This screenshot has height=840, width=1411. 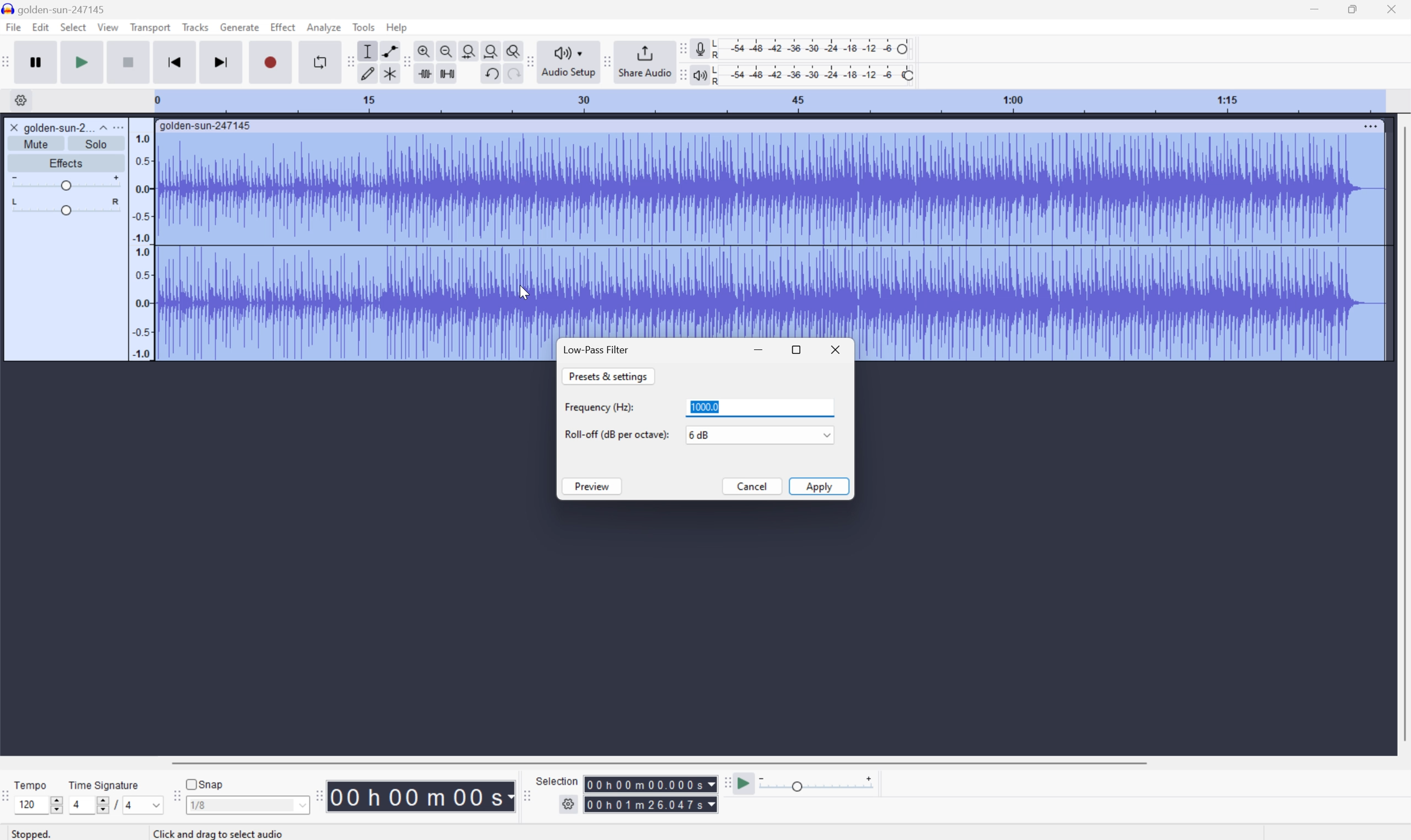 I want to click on Zoom out, so click(x=447, y=49).